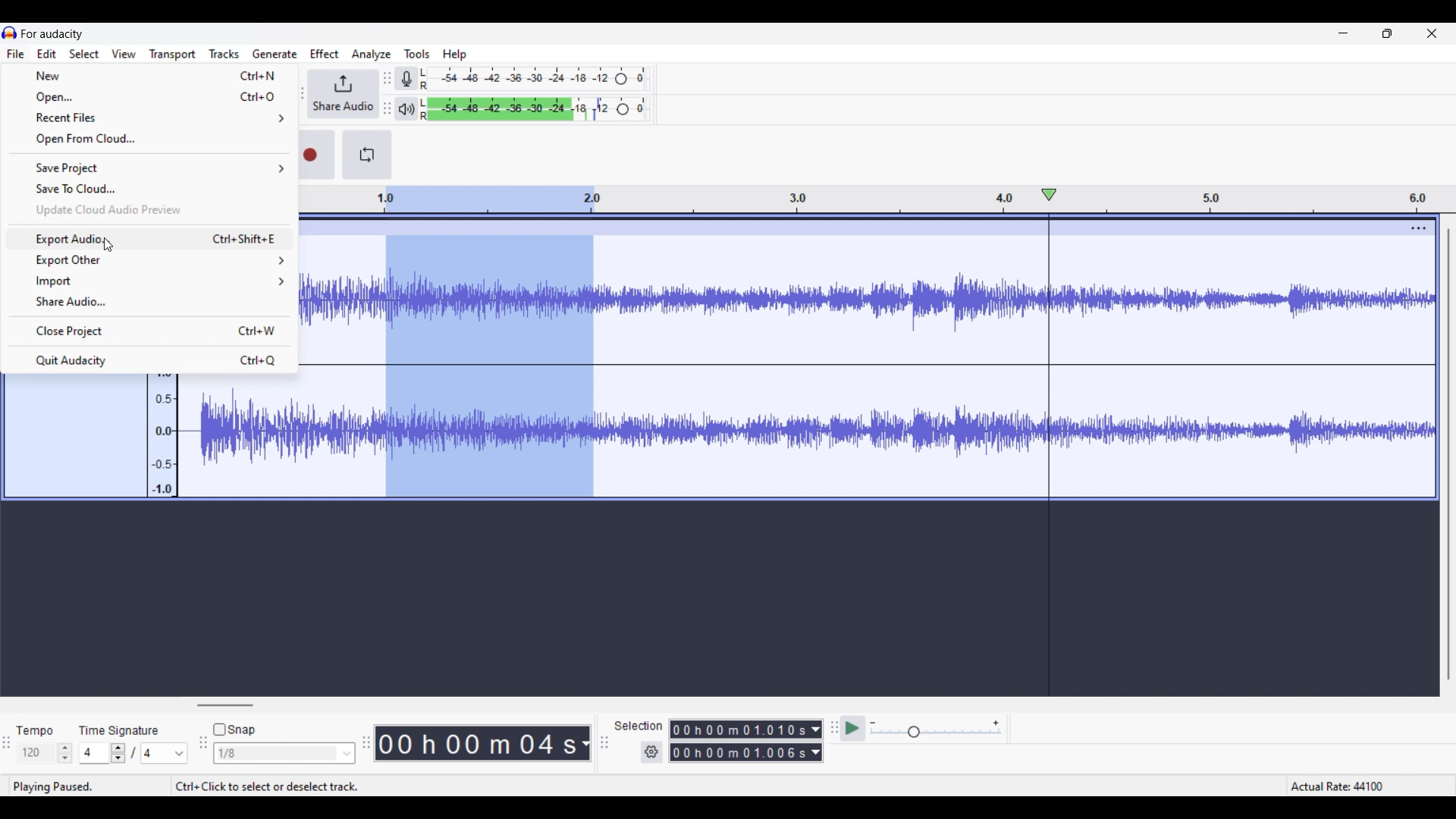  I want to click on Scale to measure length of track, so click(1258, 199).